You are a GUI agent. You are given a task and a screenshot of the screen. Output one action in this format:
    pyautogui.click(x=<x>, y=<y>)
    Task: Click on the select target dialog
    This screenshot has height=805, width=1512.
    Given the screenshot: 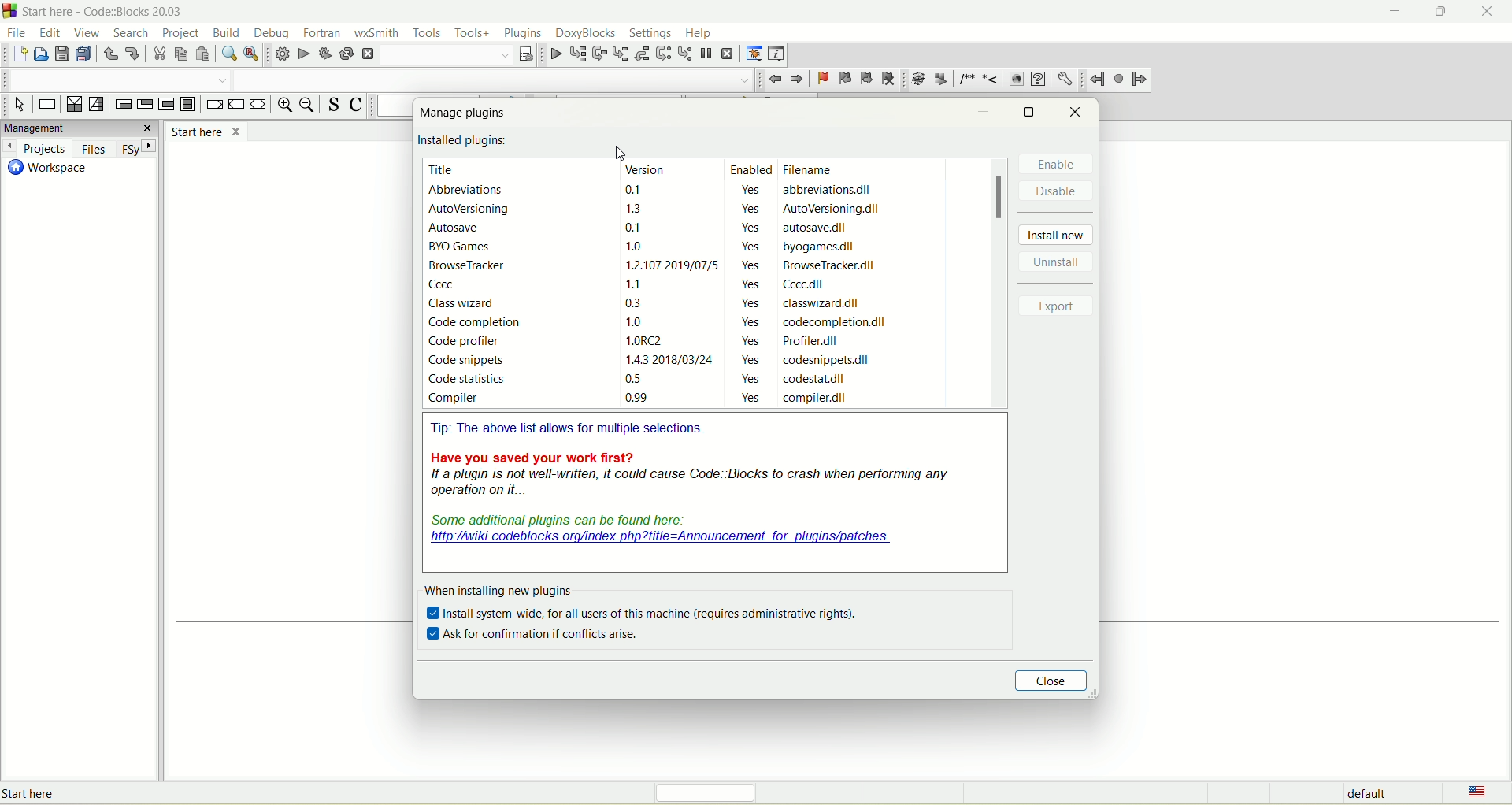 What is the action you would take?
    pyautogui.click(x=527, y=54)
    